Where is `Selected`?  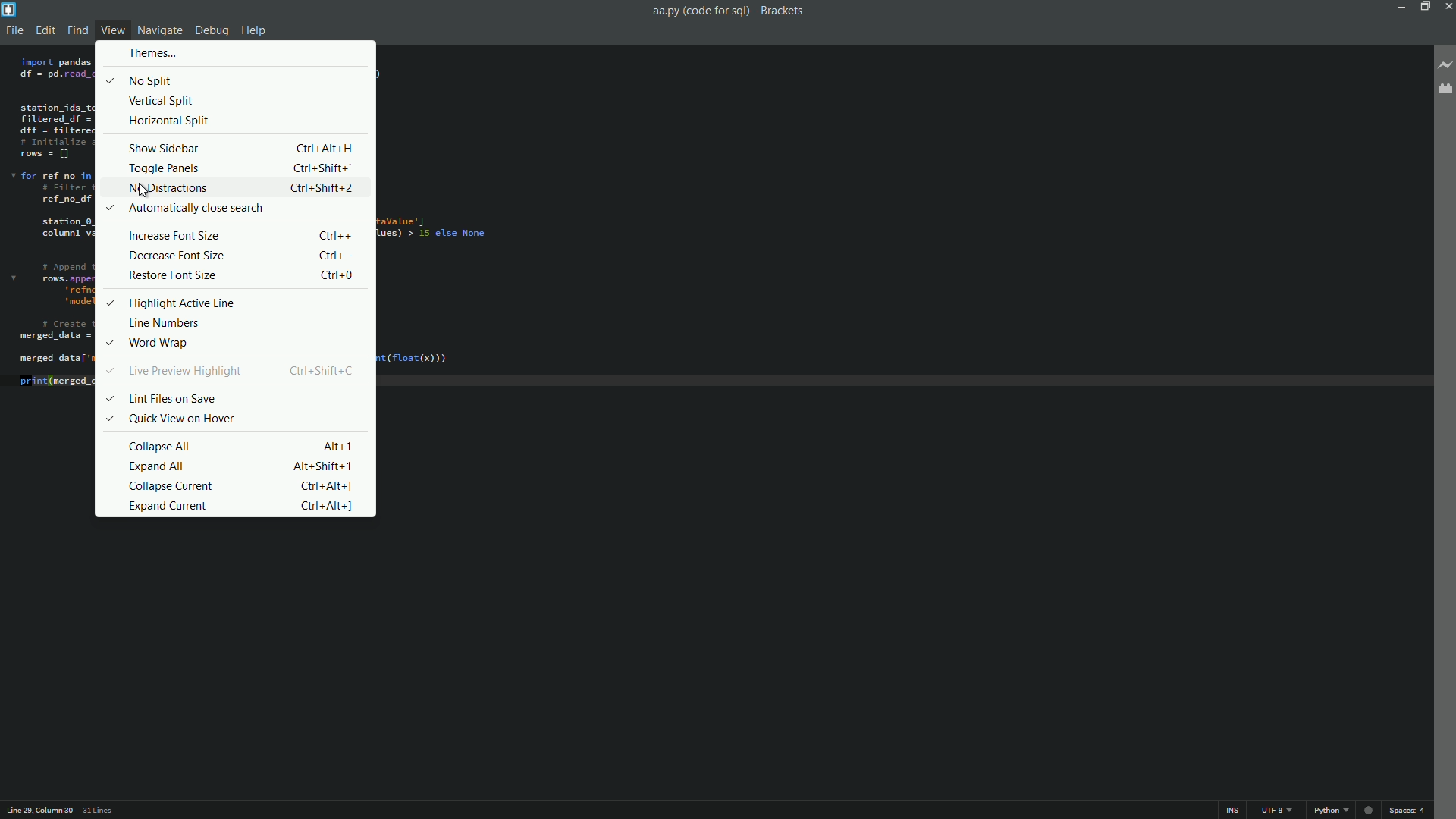
Selected is located at coordinates (112, 82).